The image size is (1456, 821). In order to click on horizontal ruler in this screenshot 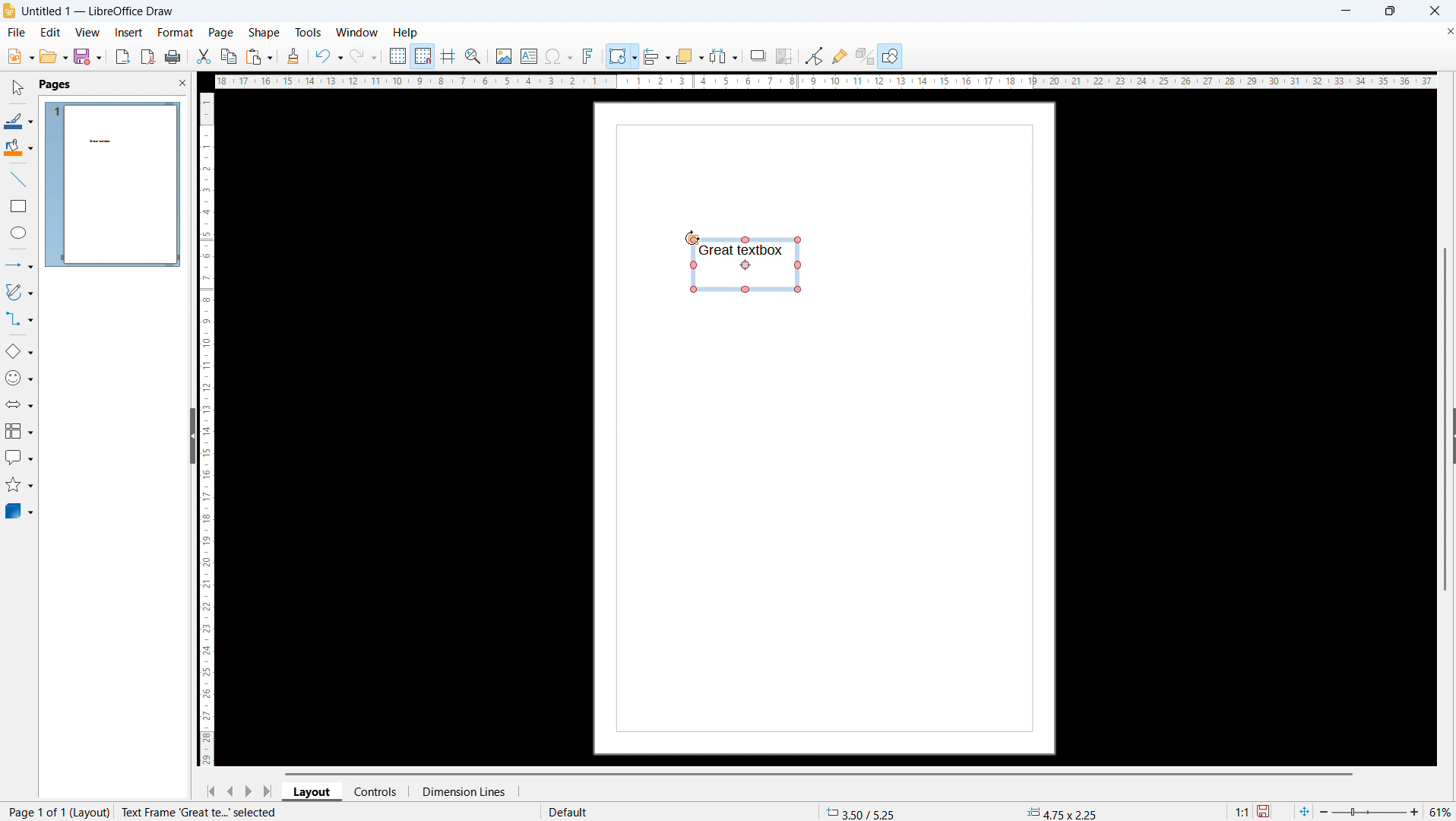, I will do `click(825, 83)`.